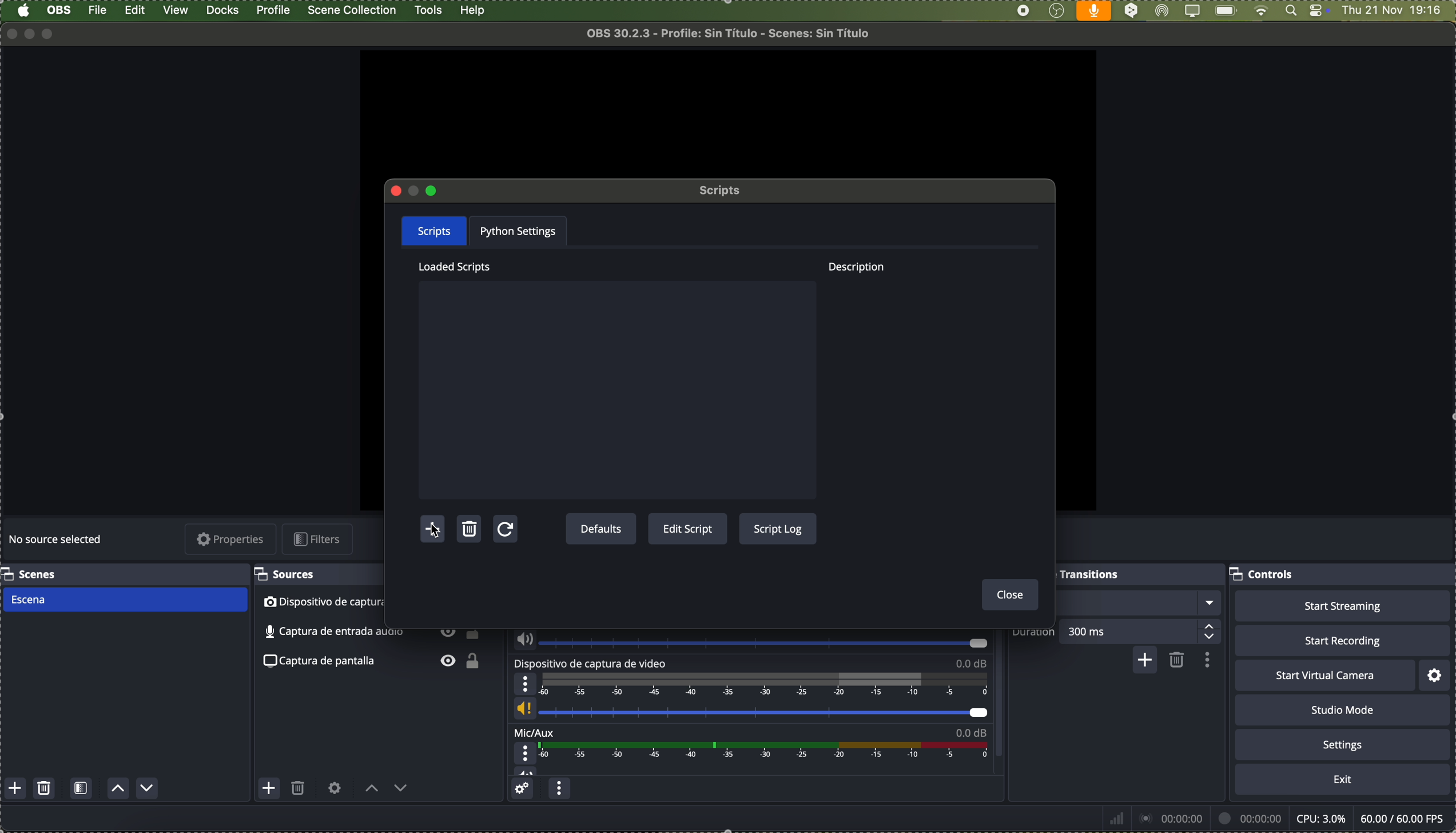  What do you see at coordinates (1012, 595) in the screenshot?
I see `close button` at bounding box center [1012, 595].